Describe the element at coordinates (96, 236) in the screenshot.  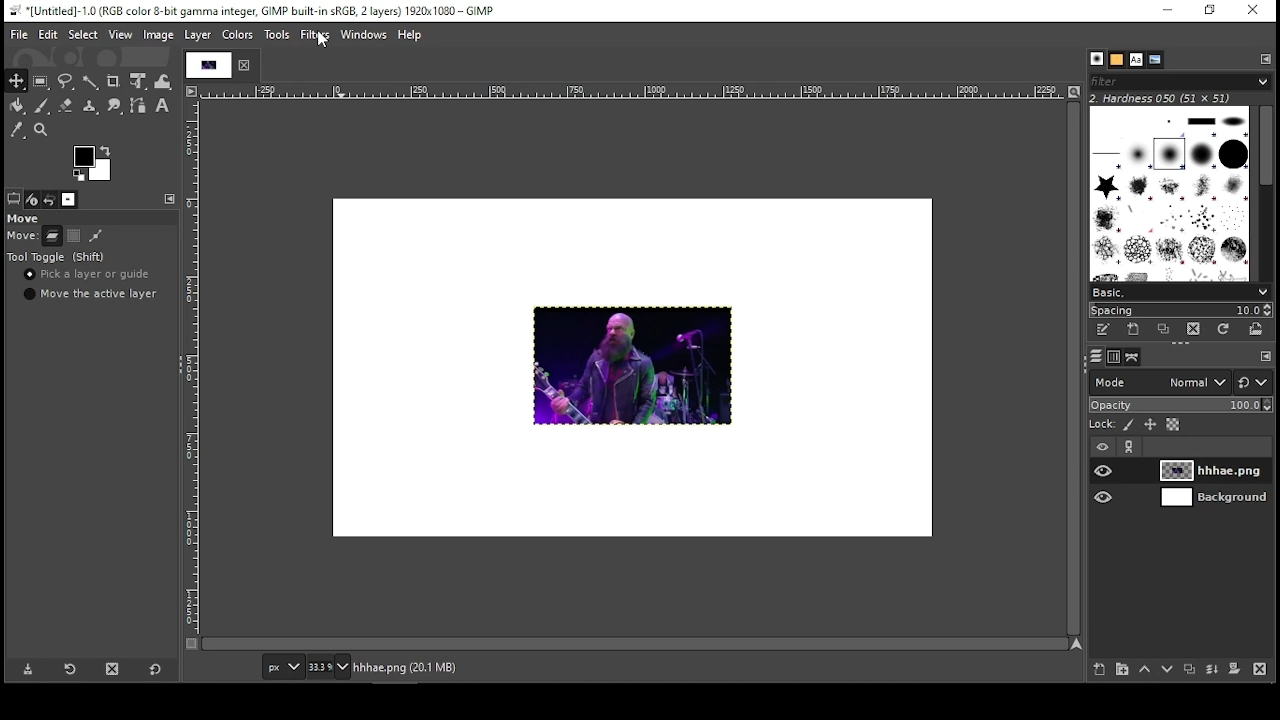
I see `move paths` at that location.